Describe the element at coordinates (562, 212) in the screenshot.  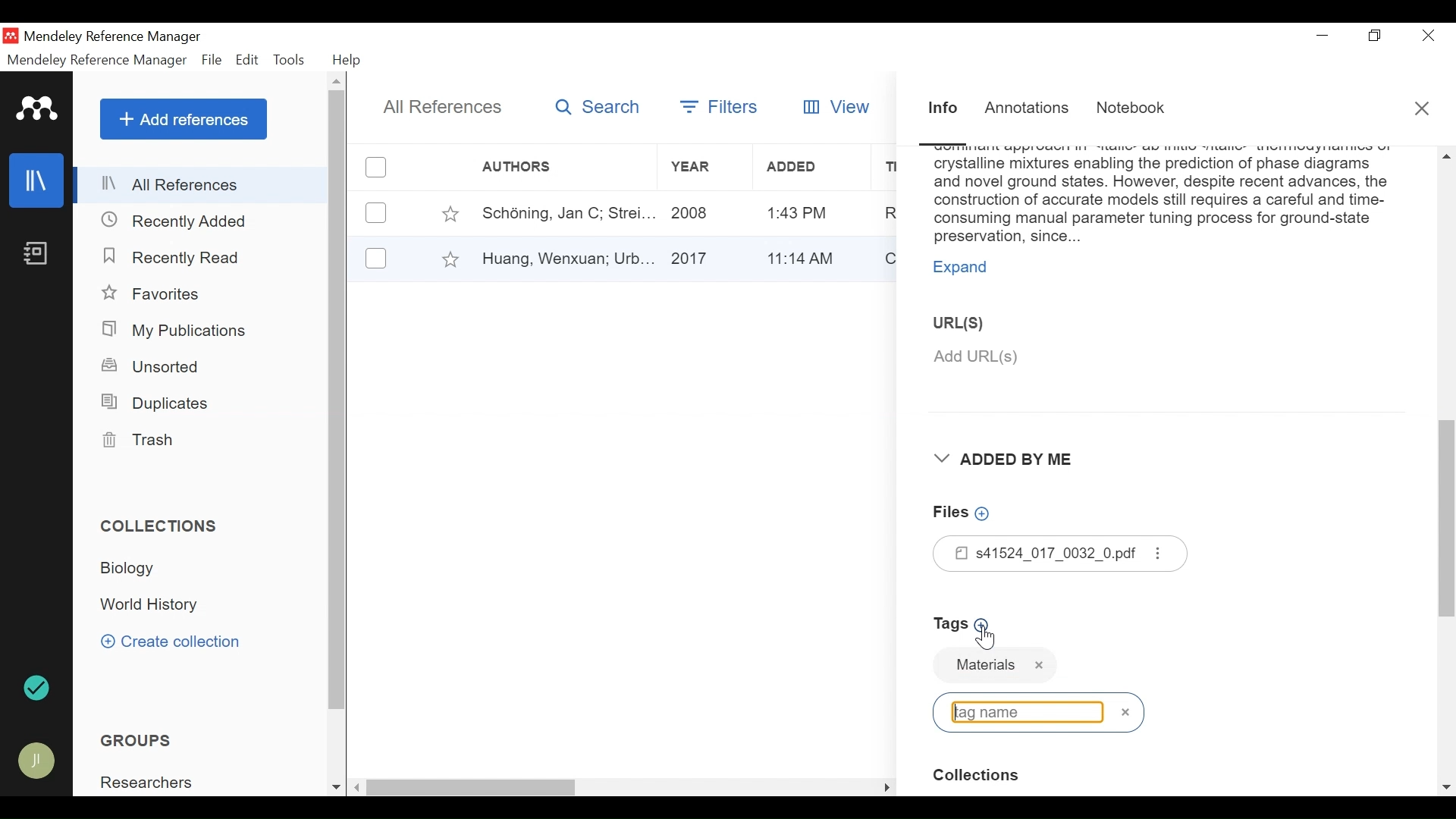
I see `Author` at that location.